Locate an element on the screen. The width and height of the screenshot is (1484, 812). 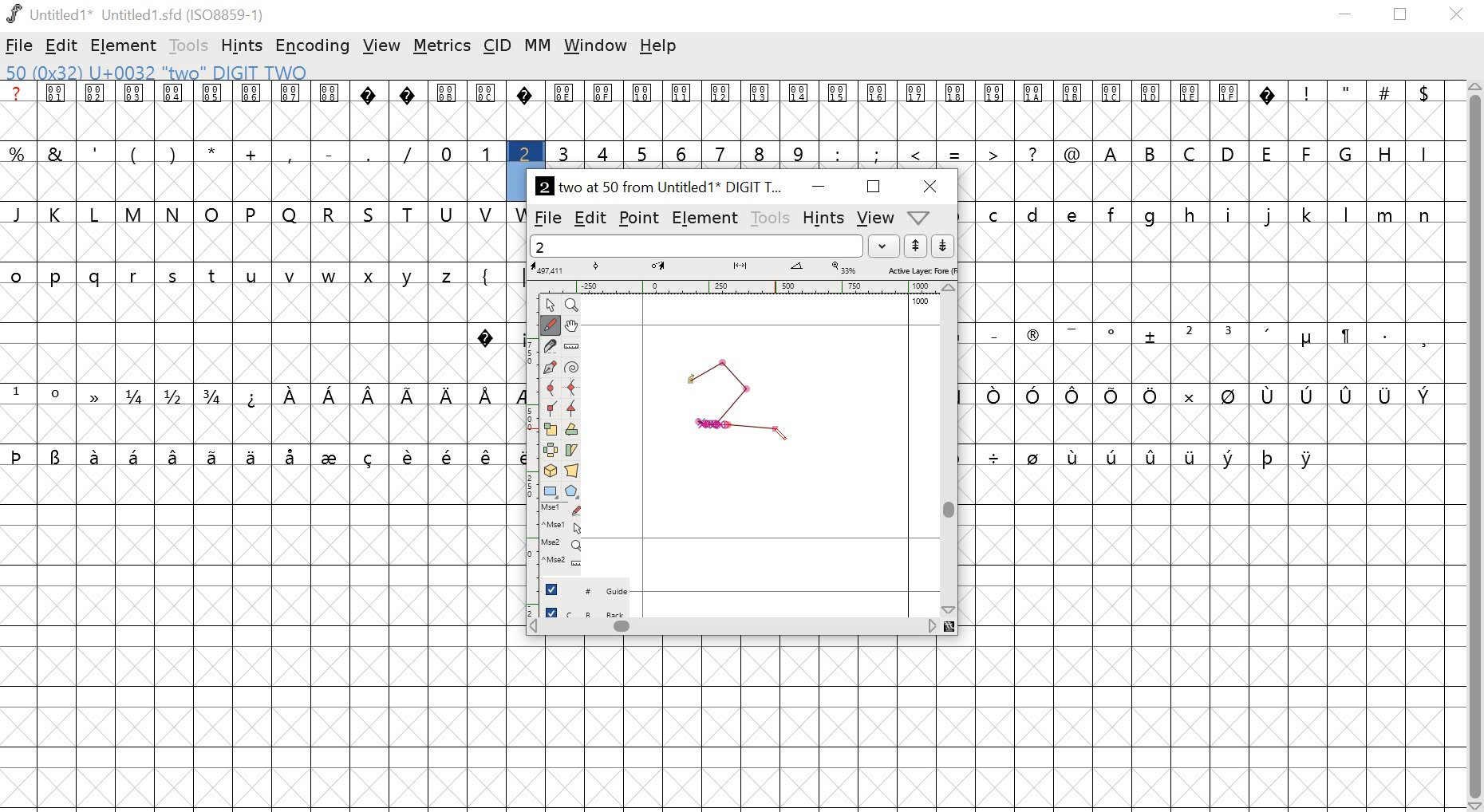
scrollbar is located at coordinates (741, 628).